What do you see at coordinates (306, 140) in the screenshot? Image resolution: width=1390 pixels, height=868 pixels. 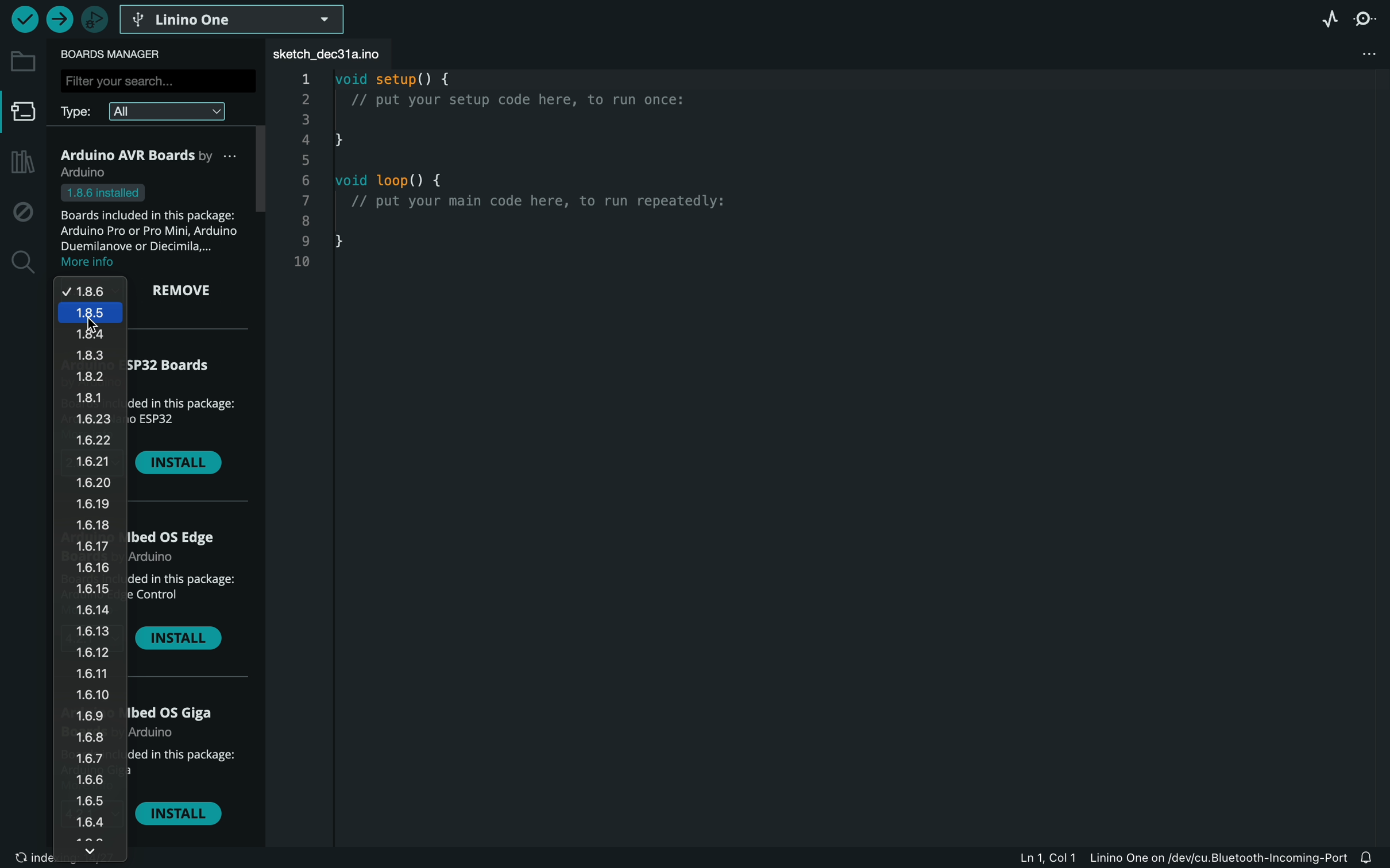 I see `4` at bounding box center [306, 140].